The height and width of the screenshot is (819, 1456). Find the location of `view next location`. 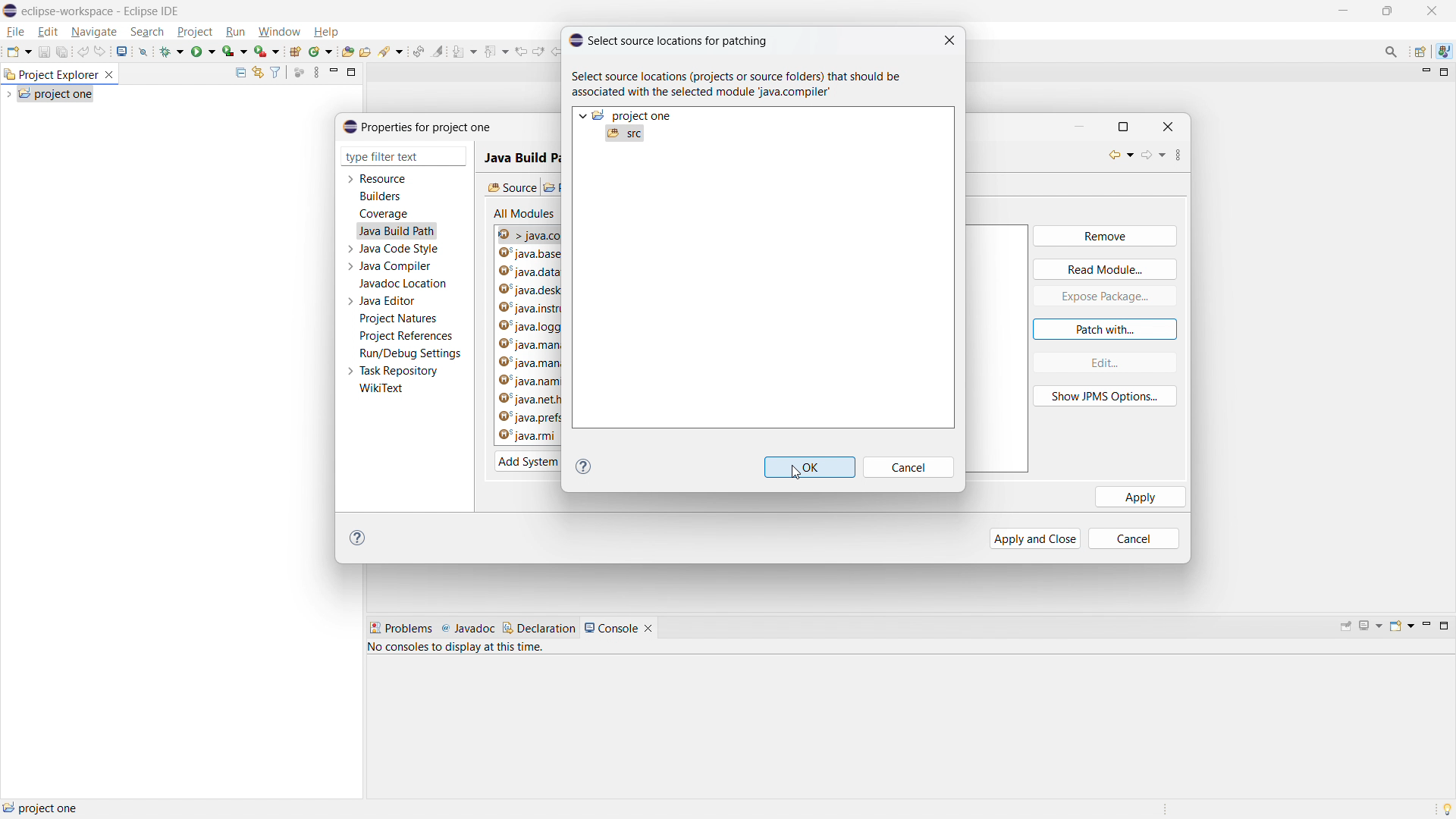

view next location is located at coordinates (538, 49).